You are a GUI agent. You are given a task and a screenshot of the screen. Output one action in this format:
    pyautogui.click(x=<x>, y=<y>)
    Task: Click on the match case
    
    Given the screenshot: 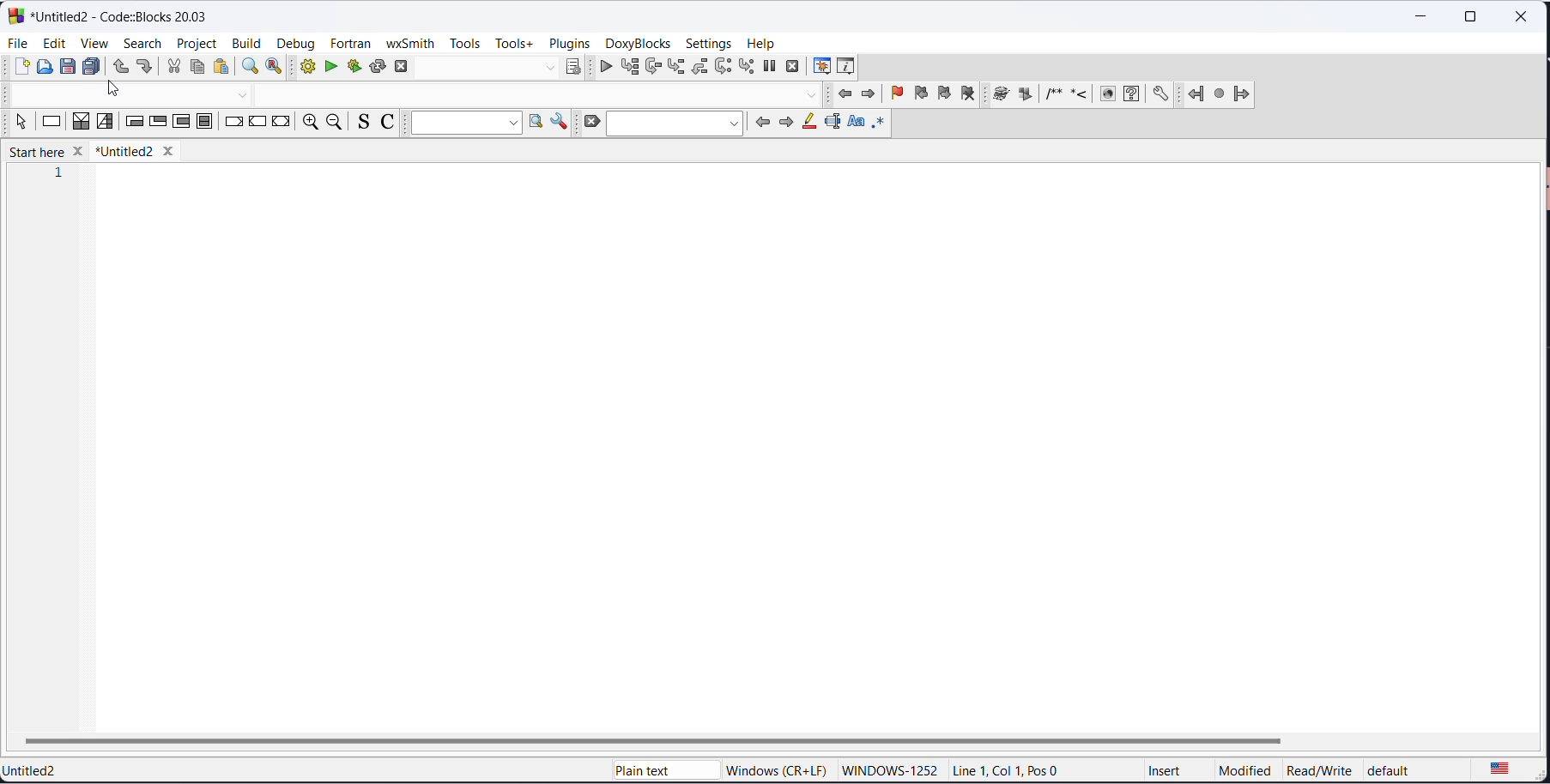 What is the action you would take?
    pyautogui.click(x=857, y=124)
    